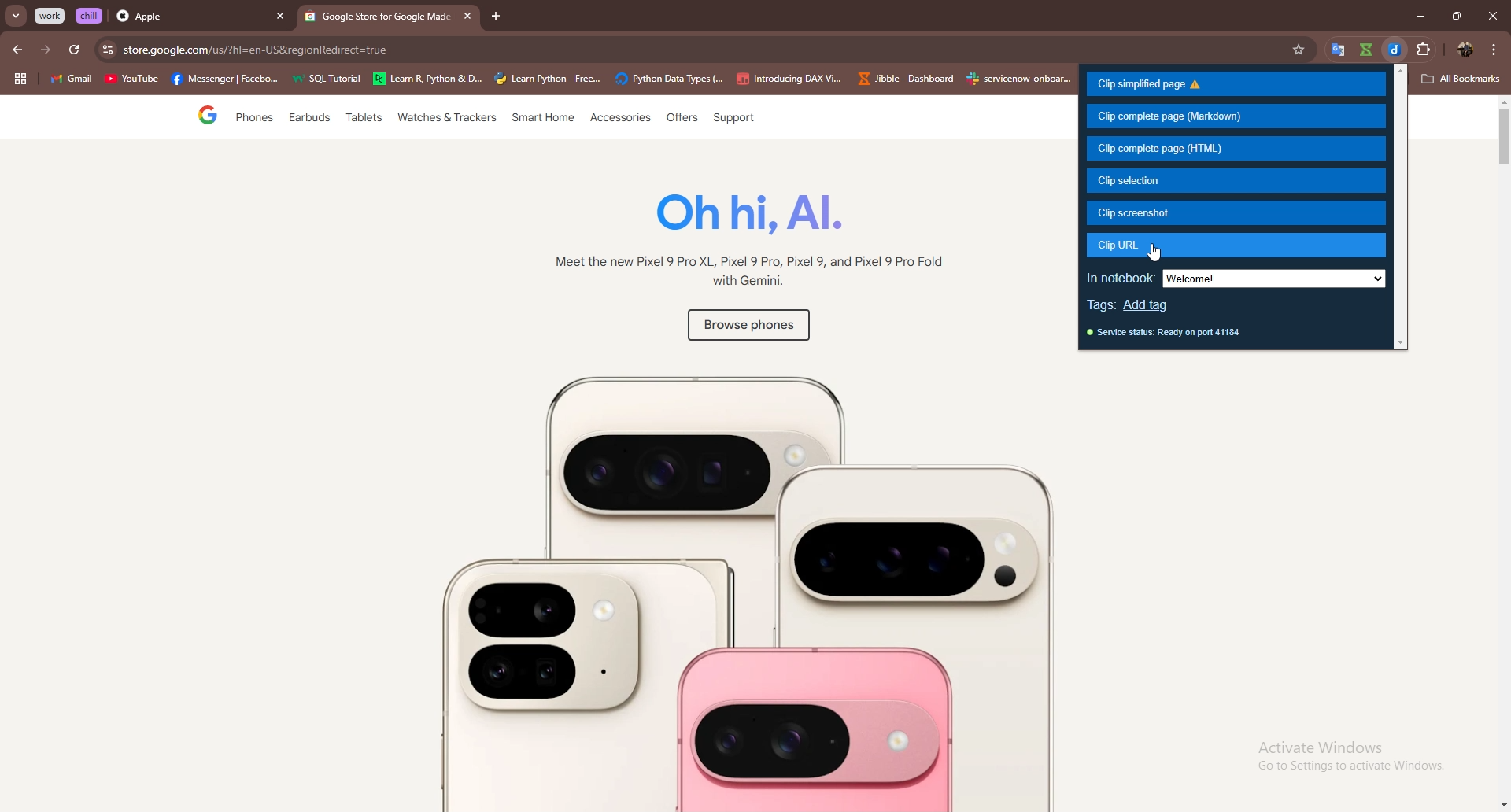 This screenshot has height=812, width=1511. What do you see at coordinates (1502, 455) in the screenshot?
I see `scroll bar` at bounding box center [1502, 455].